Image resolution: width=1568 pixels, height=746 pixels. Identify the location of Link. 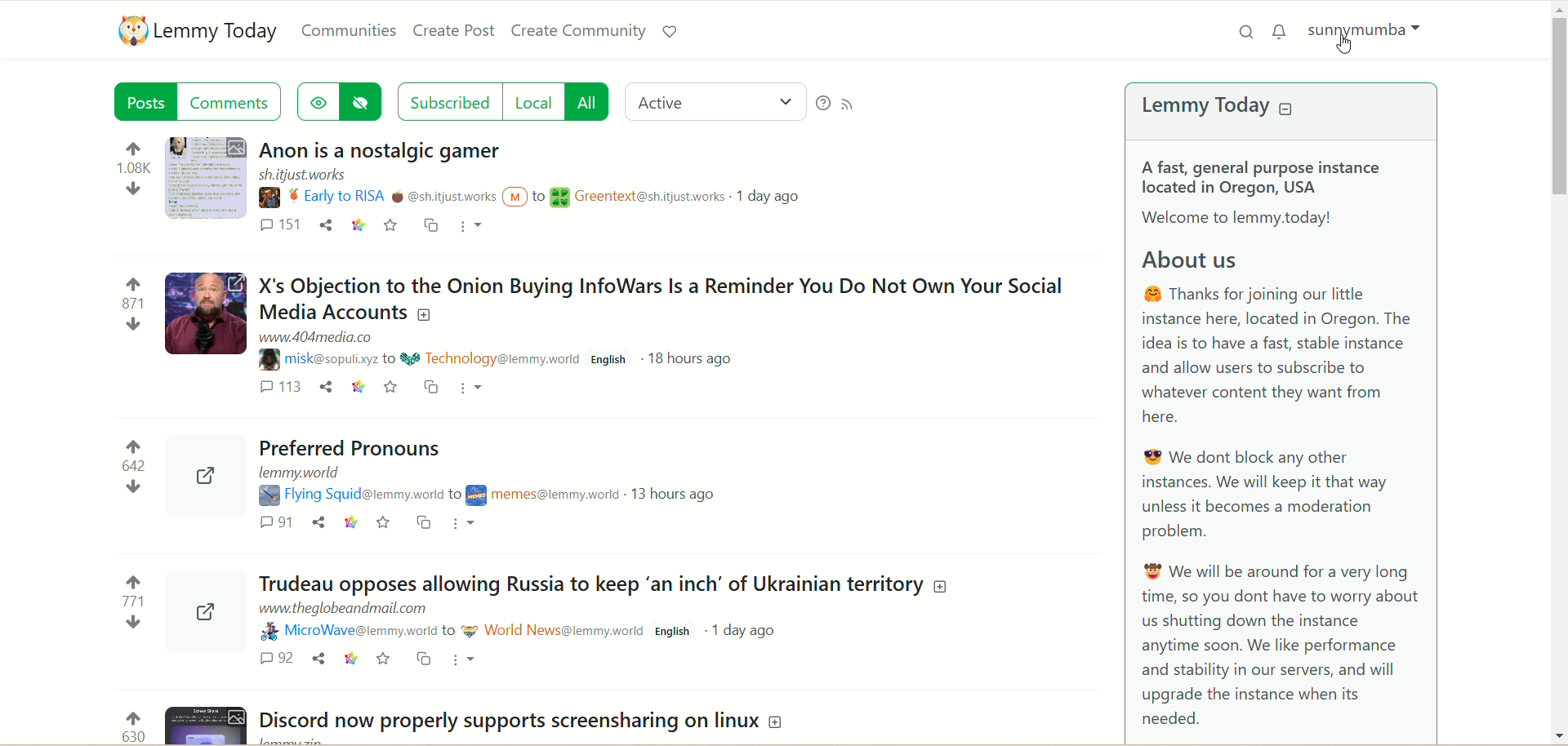
(351, 658).